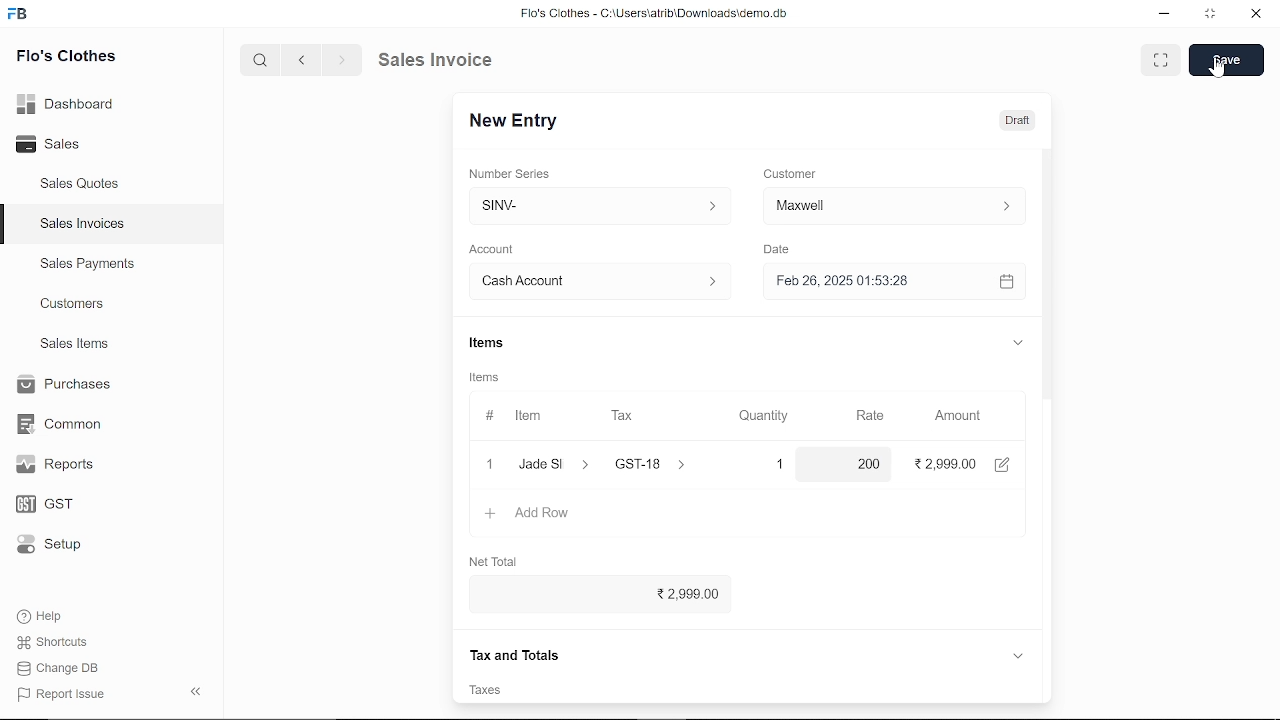 Image resolution: width=1280 pixels, height=720 pixels. Describe the element at coordinates (86, 264) in the screenshot. I see `Sales Payments.` at that location.